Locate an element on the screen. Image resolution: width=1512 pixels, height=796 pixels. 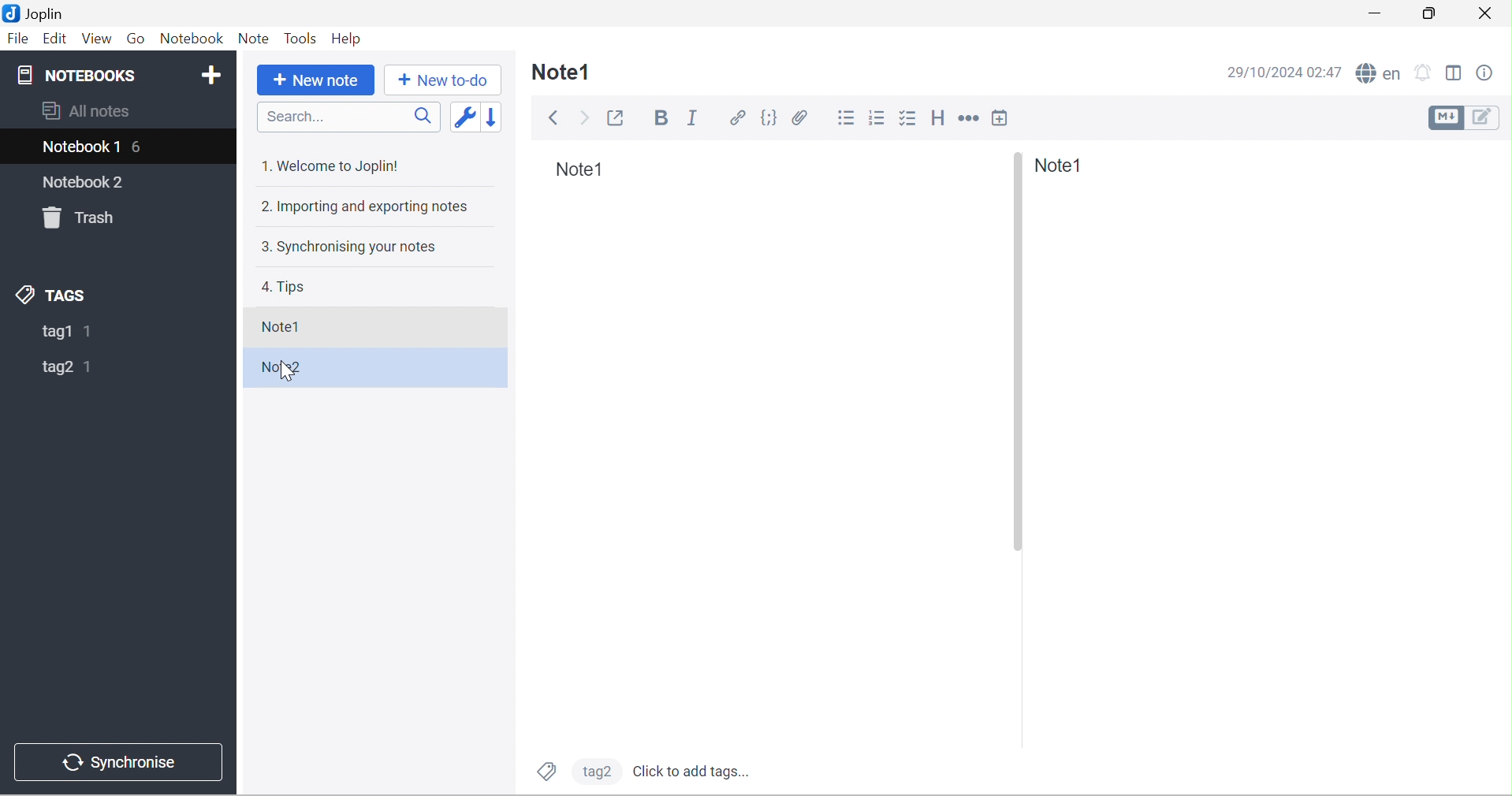
Note1 is located at coordinates (581, 169).